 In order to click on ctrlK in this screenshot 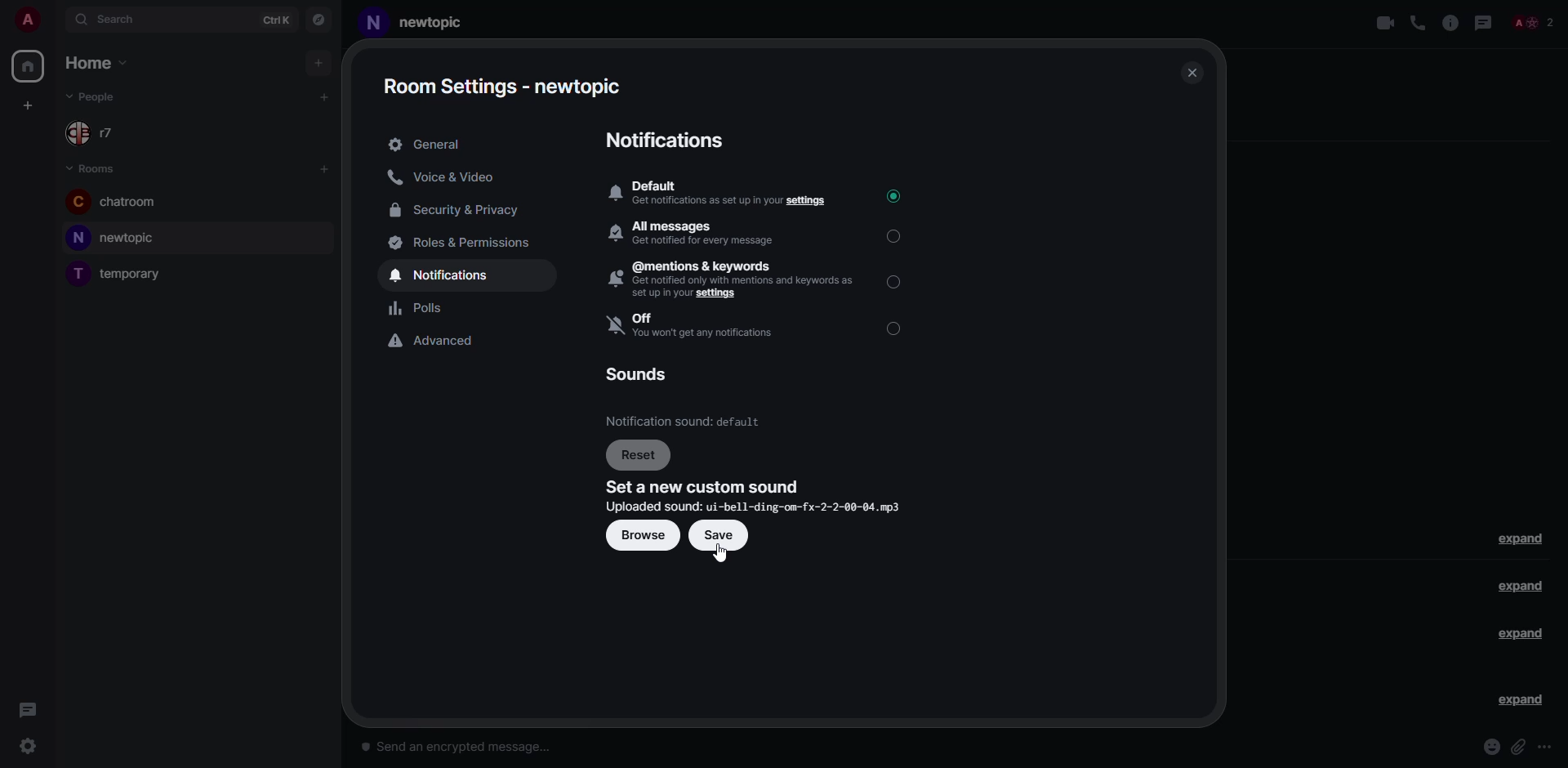, I will do `click(276, 22)`.